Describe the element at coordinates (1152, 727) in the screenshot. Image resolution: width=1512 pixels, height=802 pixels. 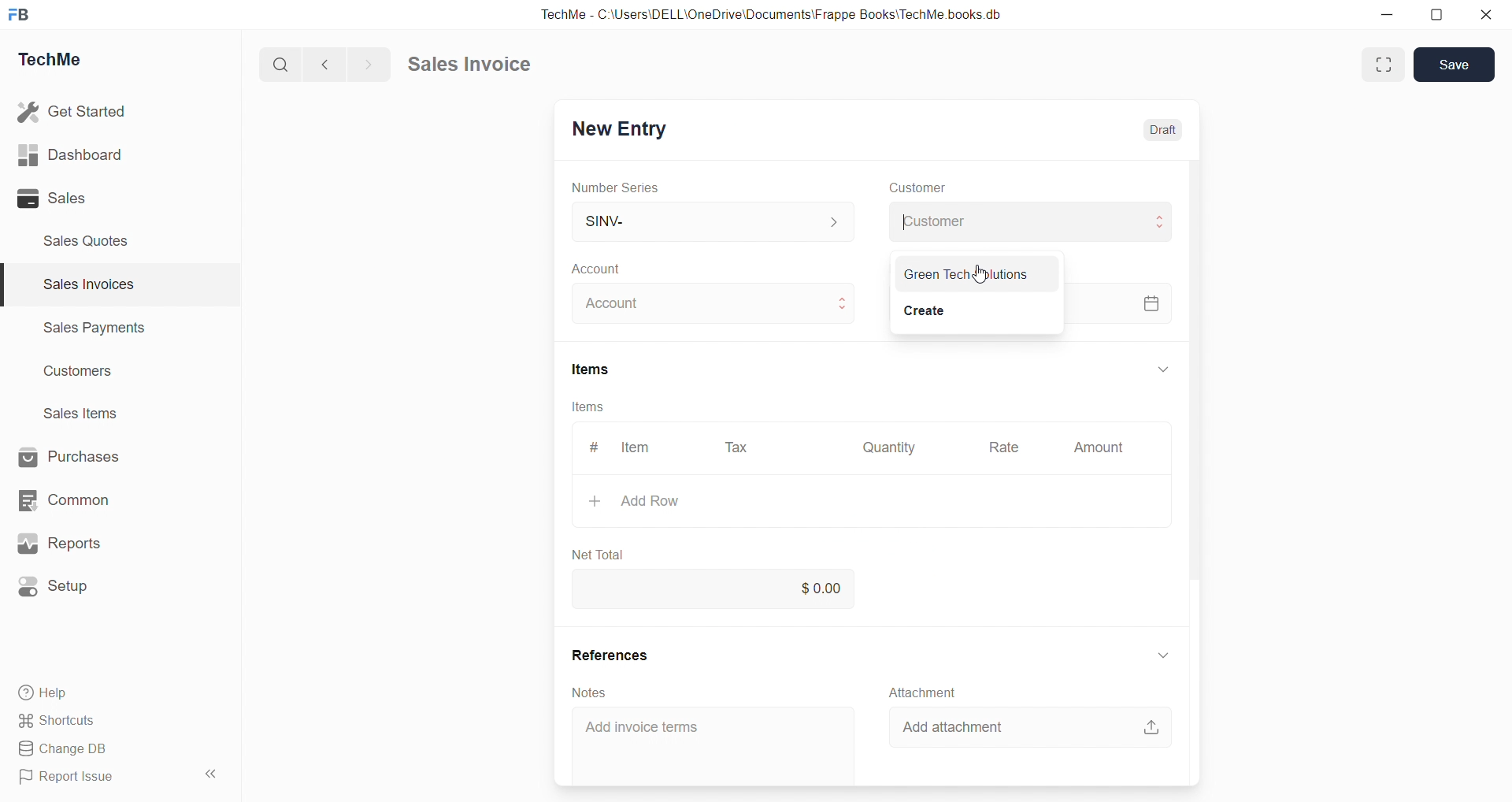
I see `upload` at that location.